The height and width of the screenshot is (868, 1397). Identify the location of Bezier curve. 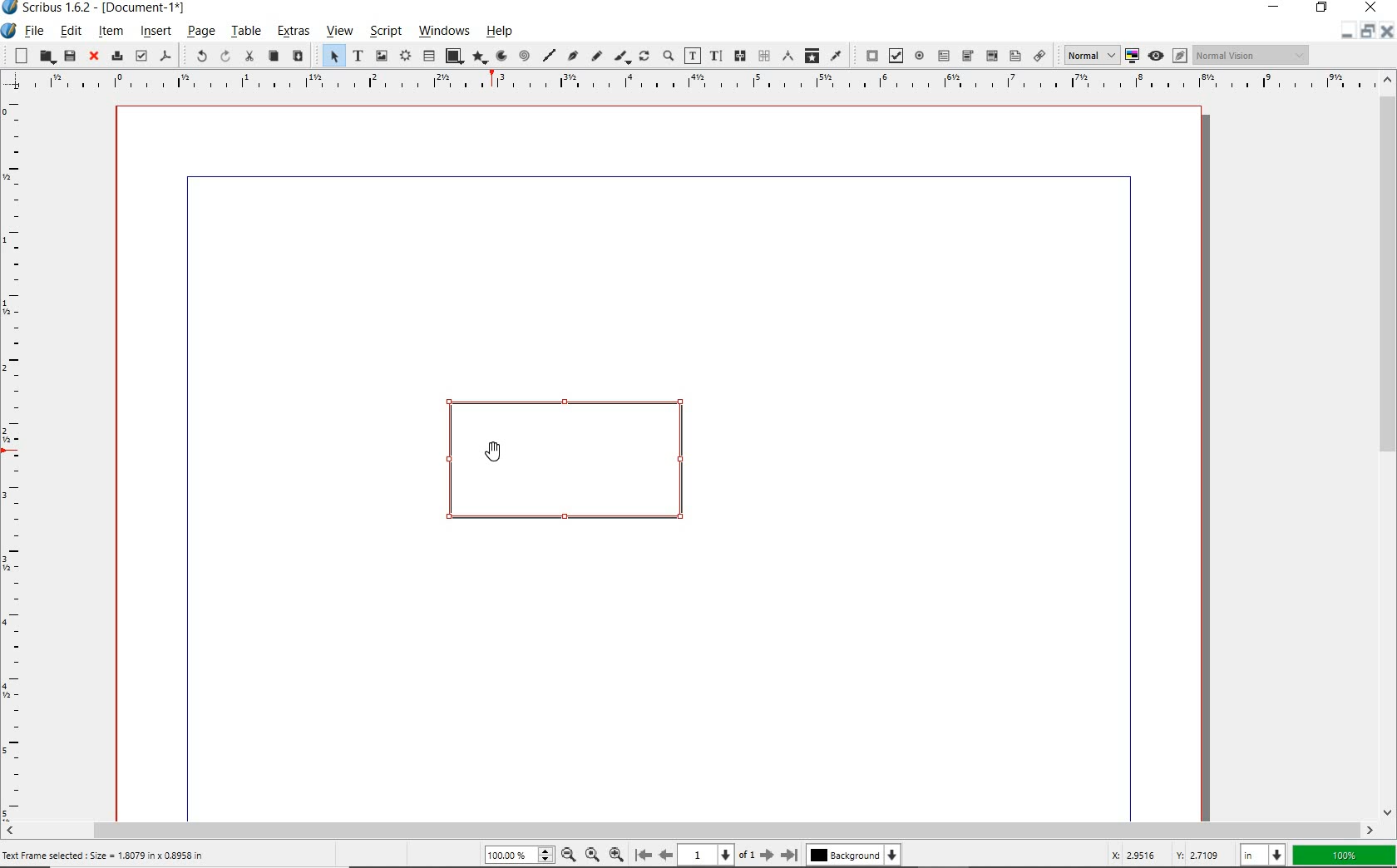
(572, 55).